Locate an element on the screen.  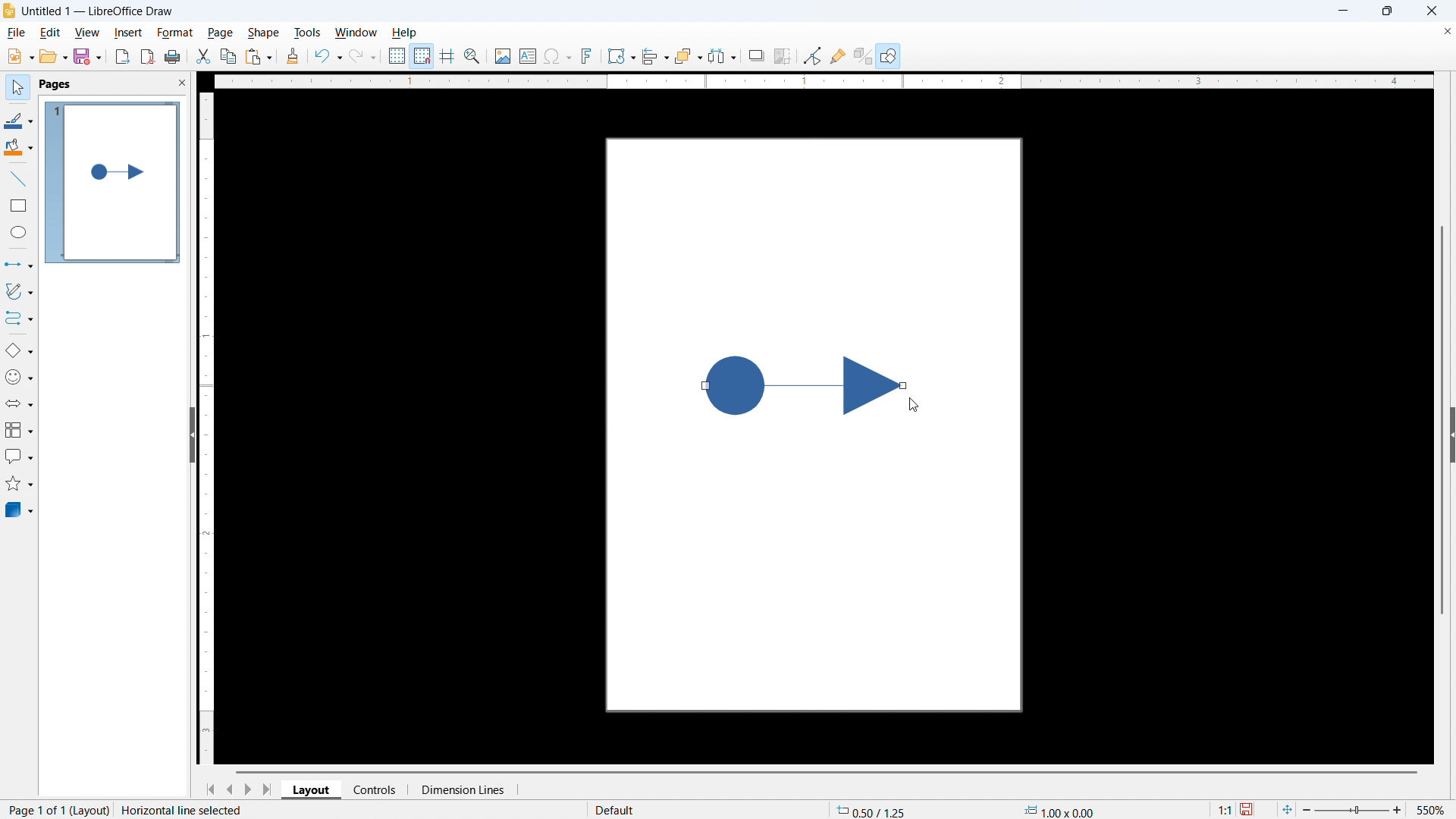
Arrange  is located at coordinates (689, 57).